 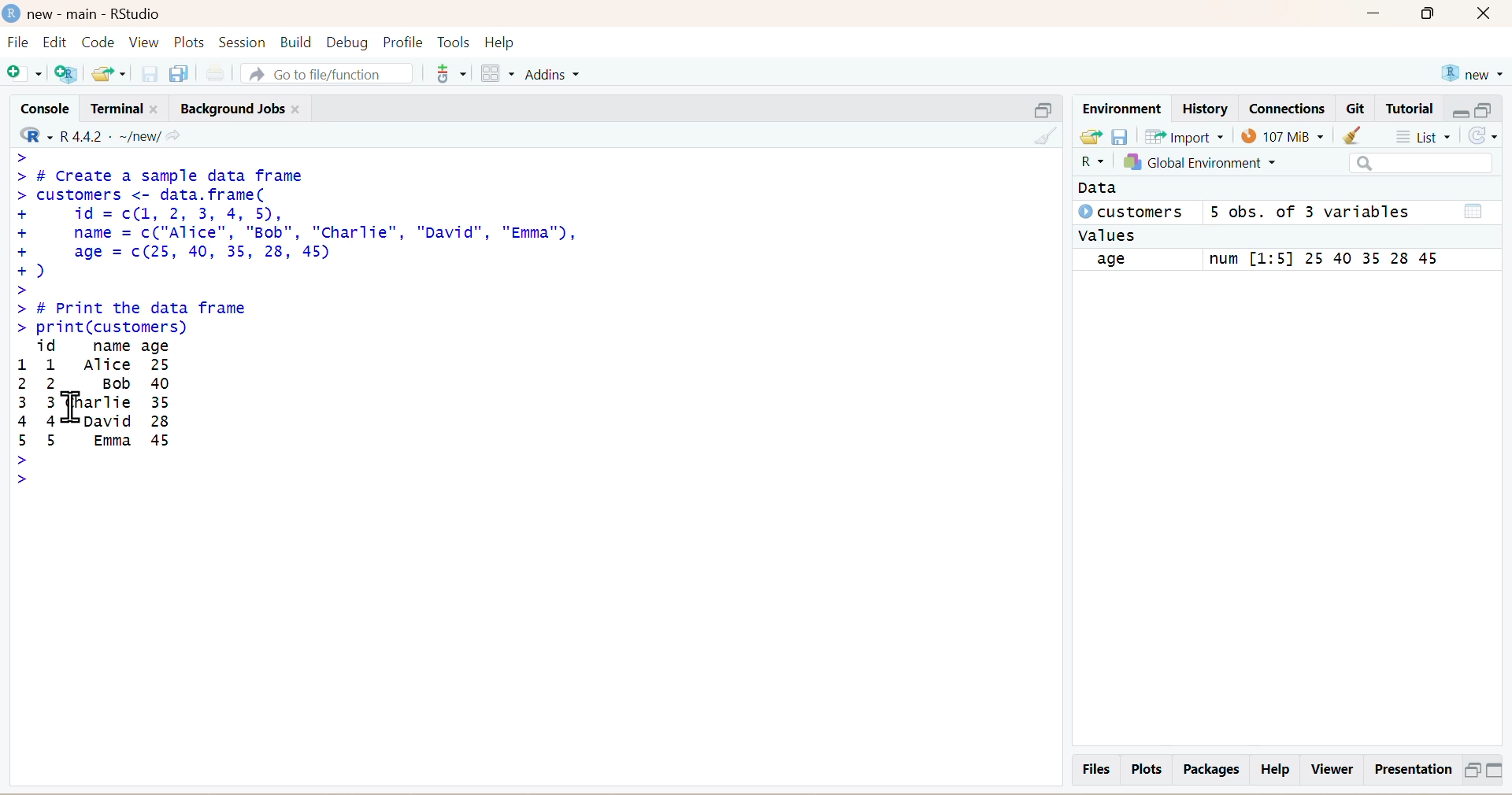 I want to click on Files, so click(x=1094, y=768).